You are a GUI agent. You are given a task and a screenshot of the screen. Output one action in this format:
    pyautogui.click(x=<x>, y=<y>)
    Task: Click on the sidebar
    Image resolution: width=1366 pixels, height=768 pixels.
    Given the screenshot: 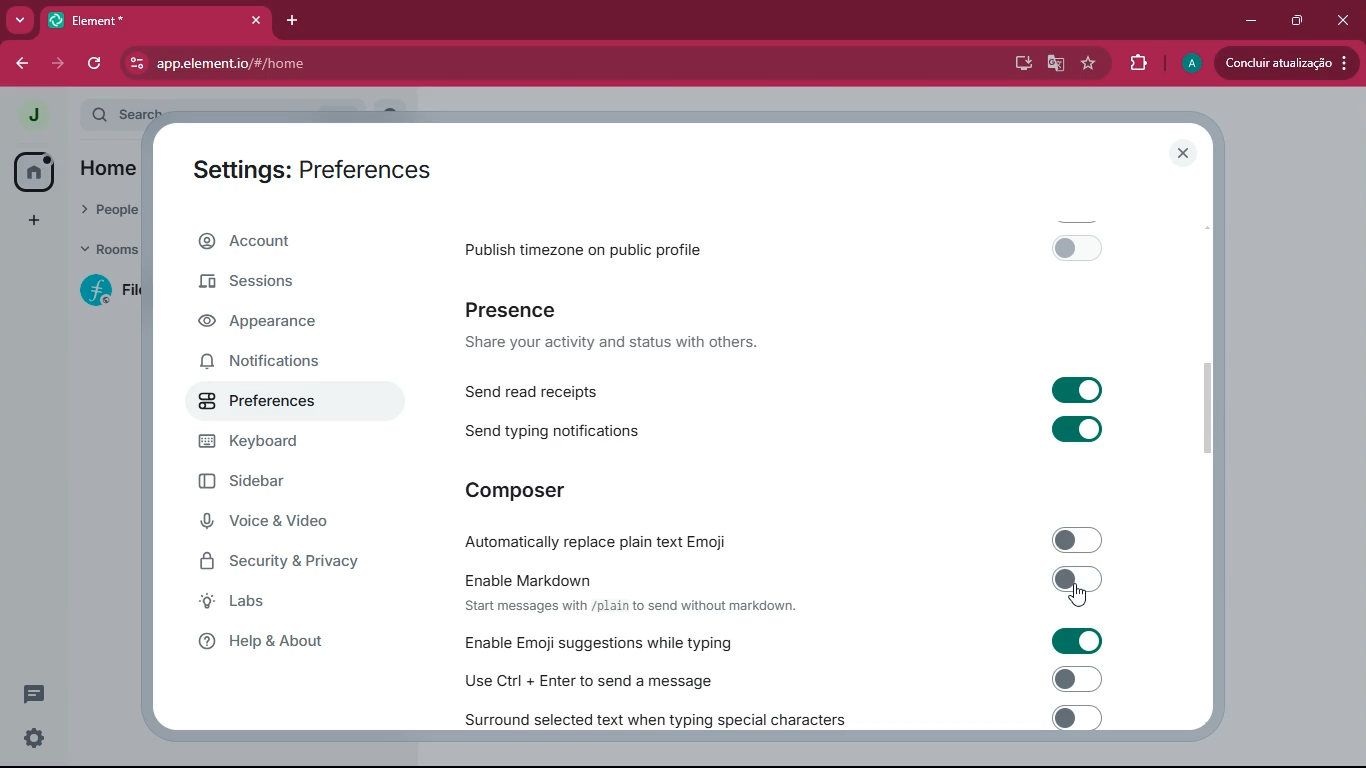 What is the action you would take?
    pyautogui.click(x=271, y=484)
    